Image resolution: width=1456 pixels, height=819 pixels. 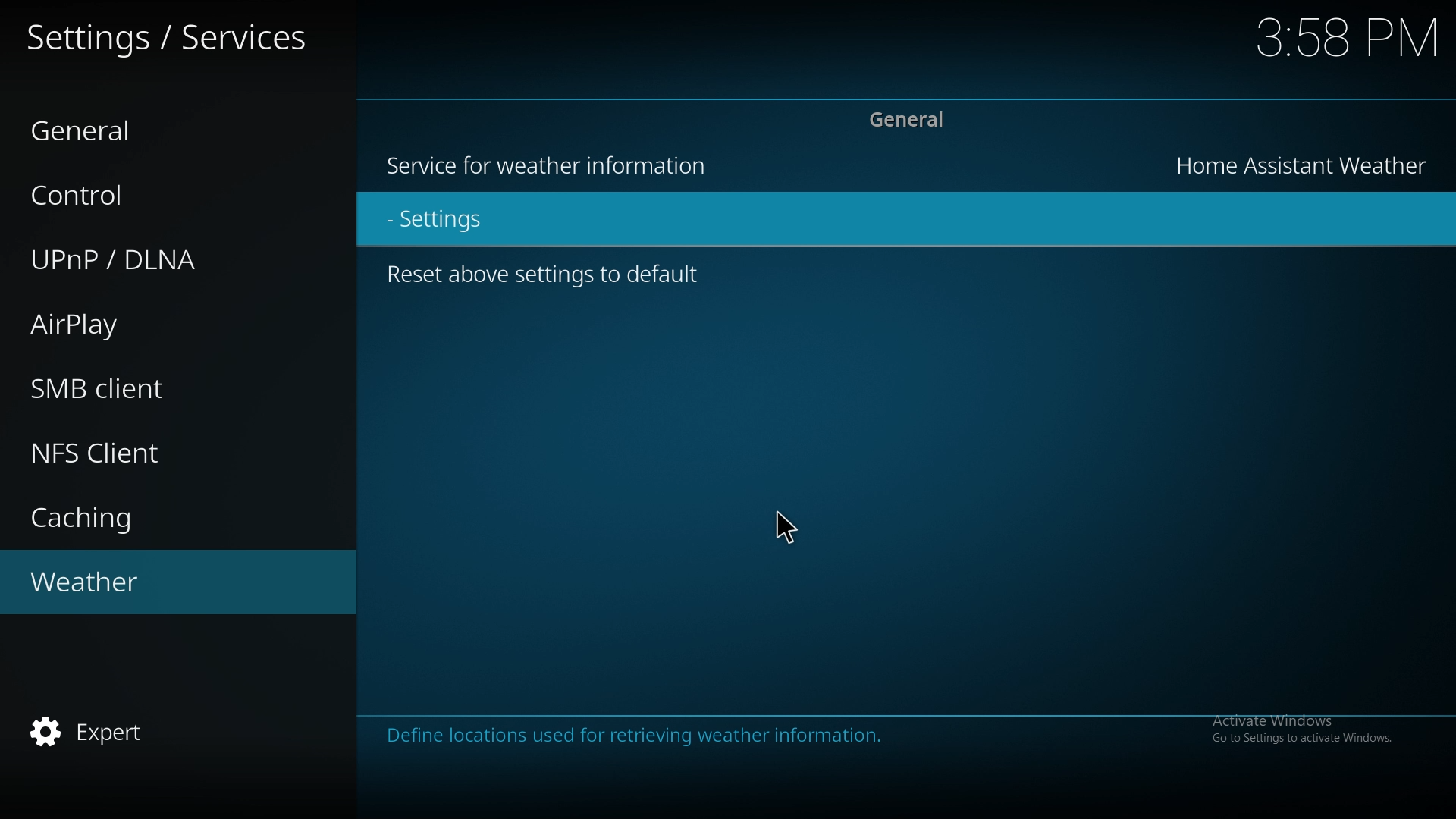 What do you see at coordinates (171, 35) in the screenshot?
I see `Settings/Services` at bounding box center [171, 35].